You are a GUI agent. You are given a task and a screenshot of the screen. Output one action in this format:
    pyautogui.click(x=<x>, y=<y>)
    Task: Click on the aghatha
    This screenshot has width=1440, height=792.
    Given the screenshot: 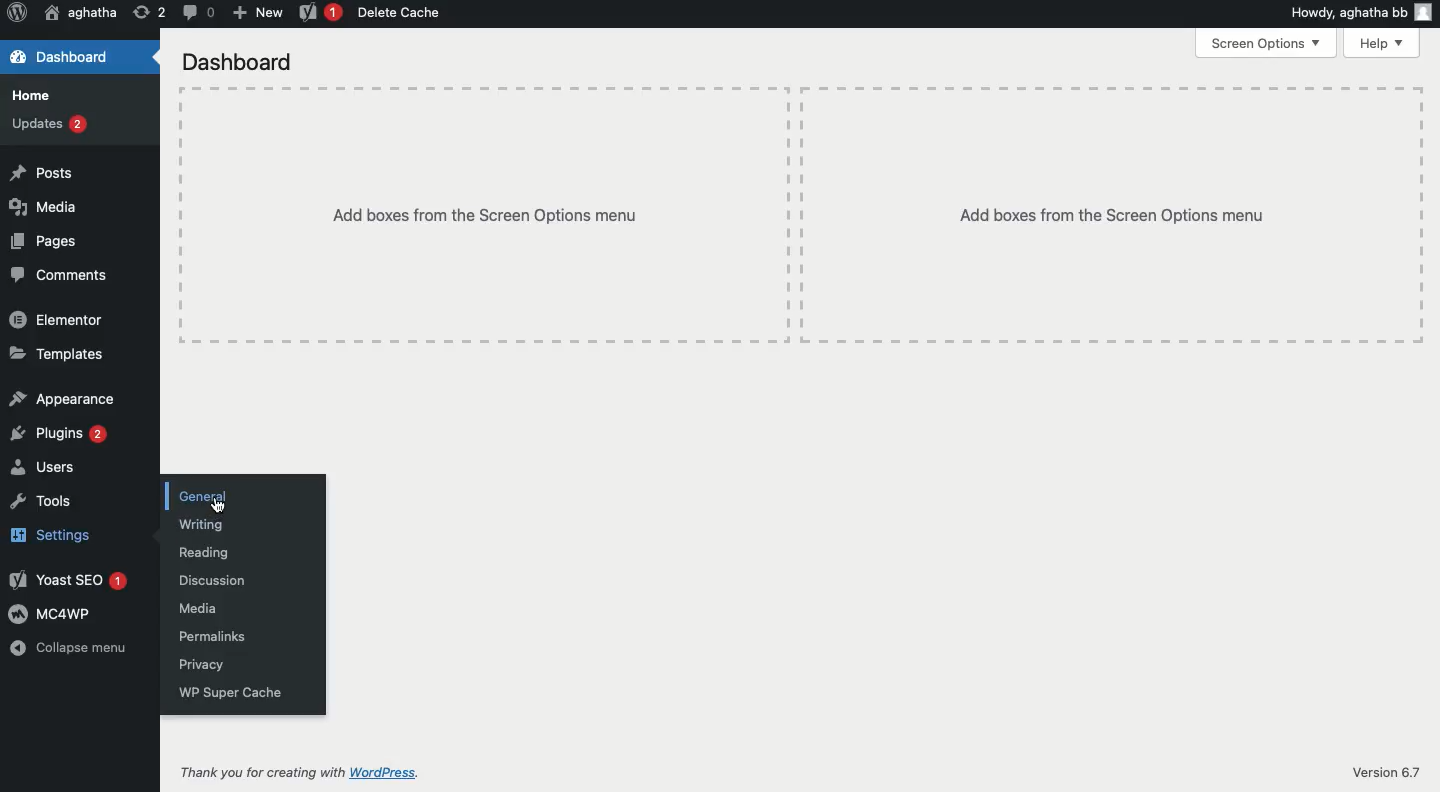 What is the action you would take?
    pyautogui.click(x=81, y=11)
    